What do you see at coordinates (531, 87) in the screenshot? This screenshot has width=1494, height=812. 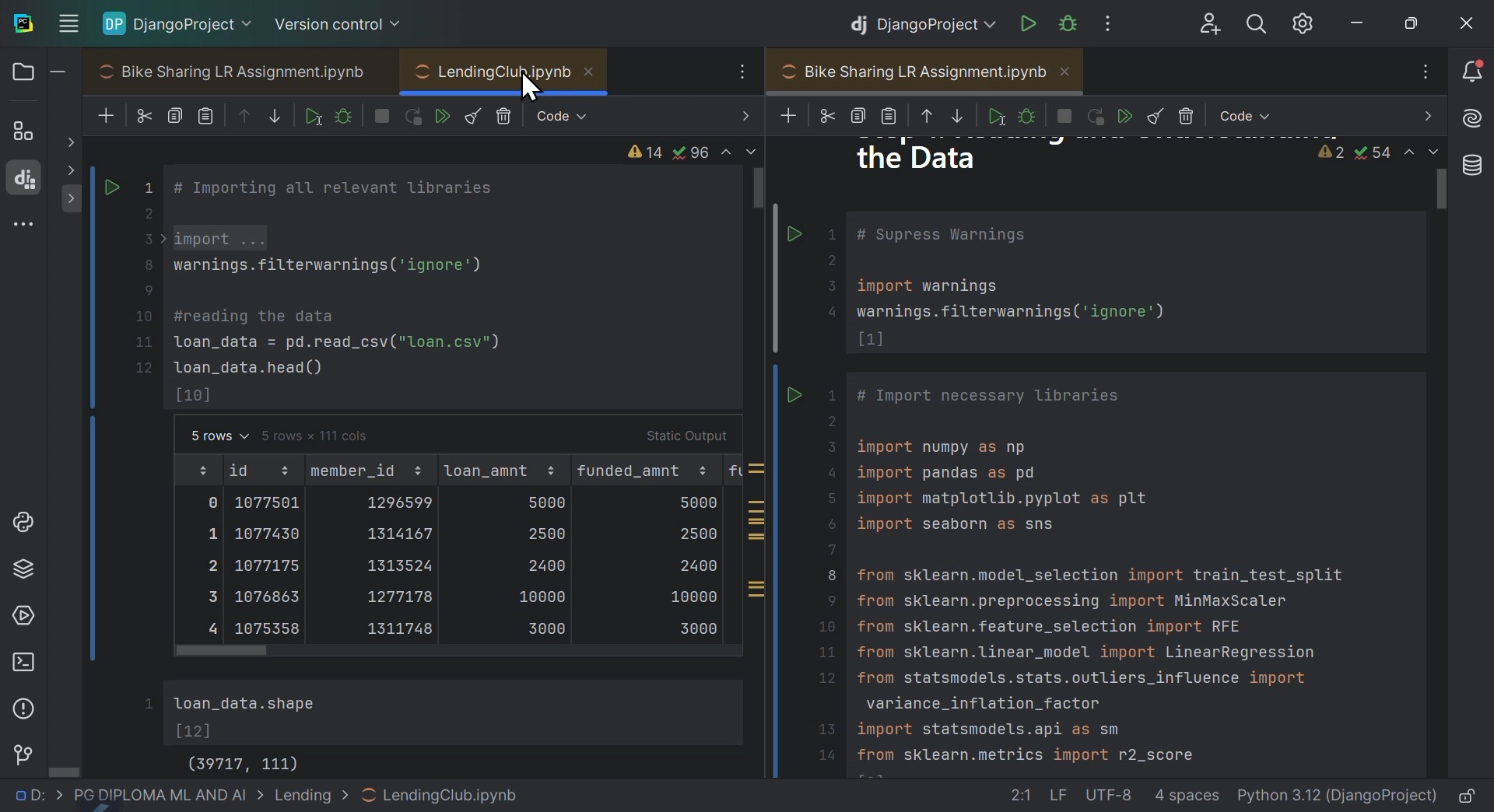 I see `cursor` at bounding box center [531, 87].